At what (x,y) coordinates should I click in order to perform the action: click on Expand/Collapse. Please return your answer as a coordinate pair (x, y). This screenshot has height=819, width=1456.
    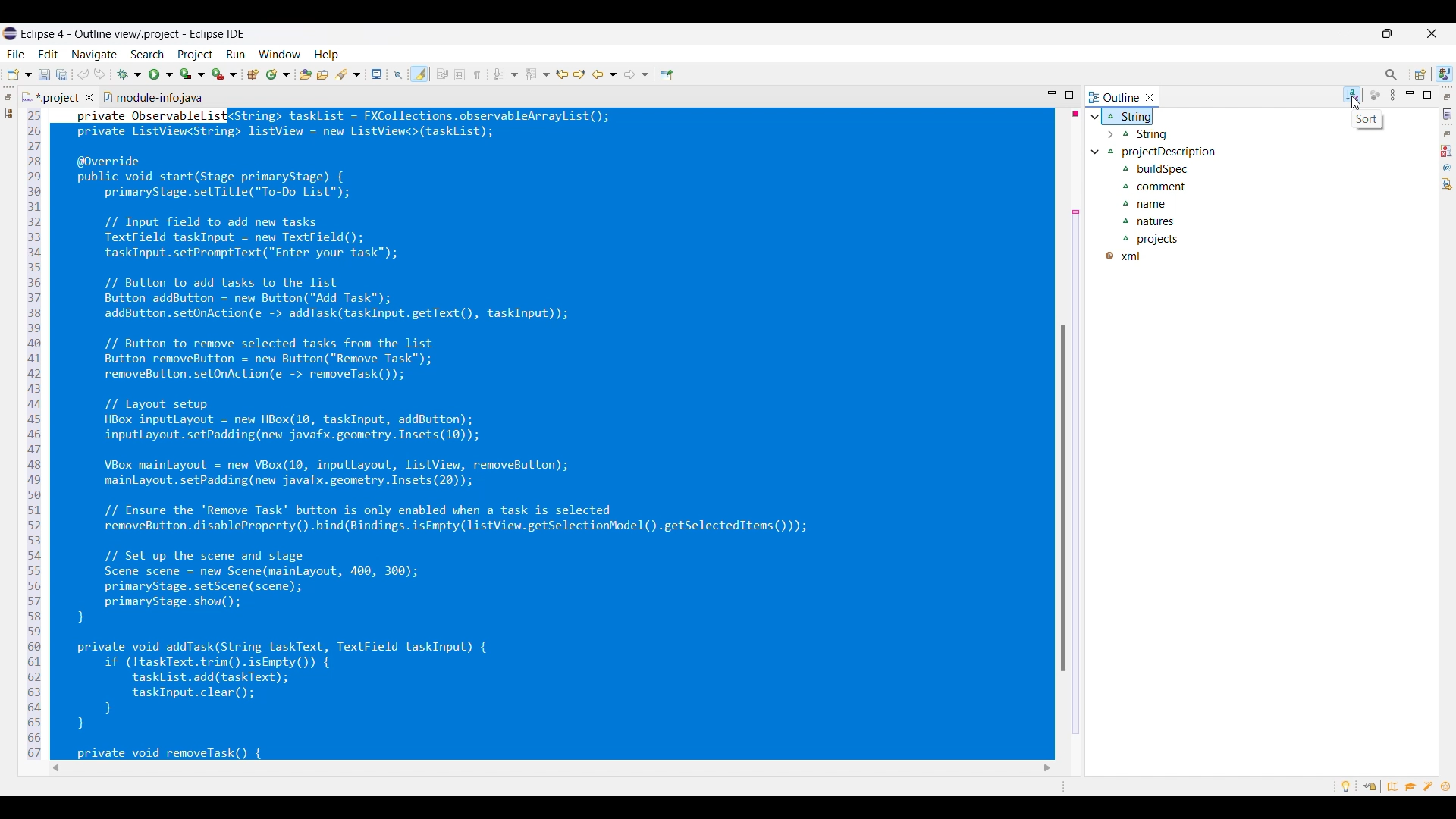
    Looking at the image, I should click on (1102, 135).